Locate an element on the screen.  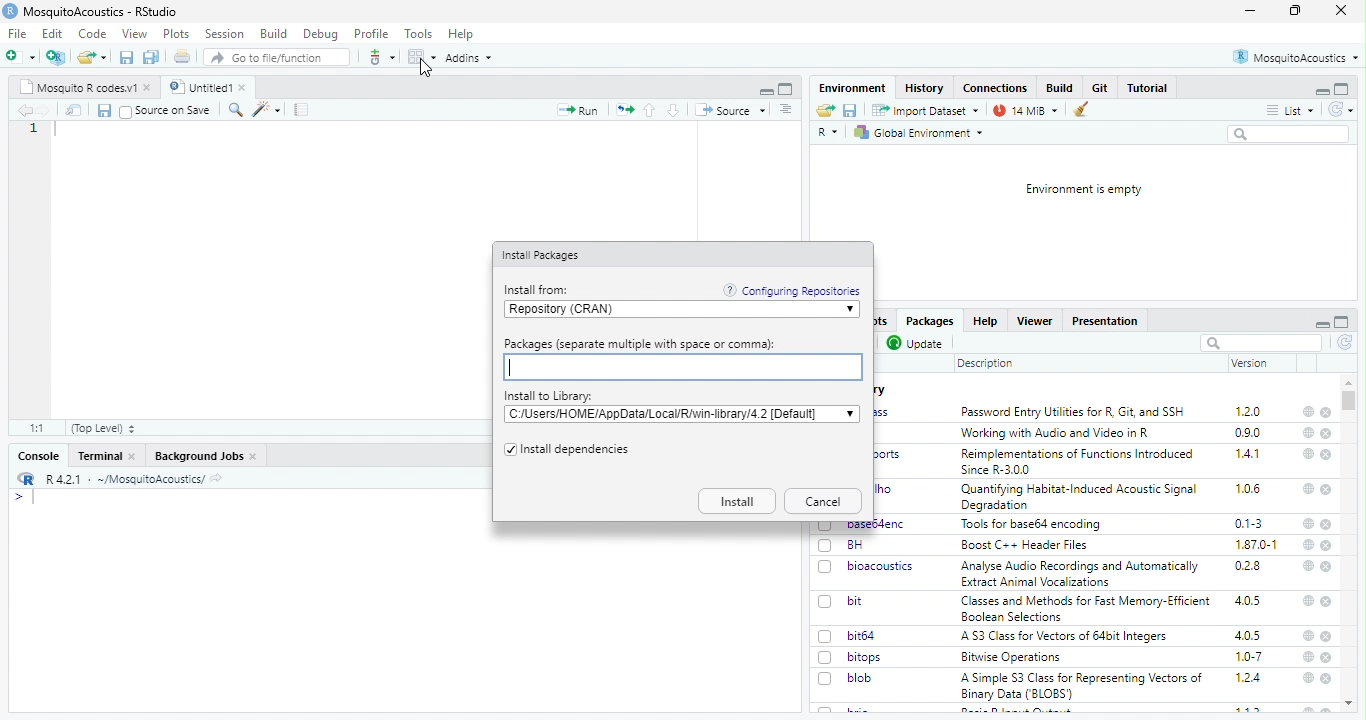
print is located at coordinates (183, 56).